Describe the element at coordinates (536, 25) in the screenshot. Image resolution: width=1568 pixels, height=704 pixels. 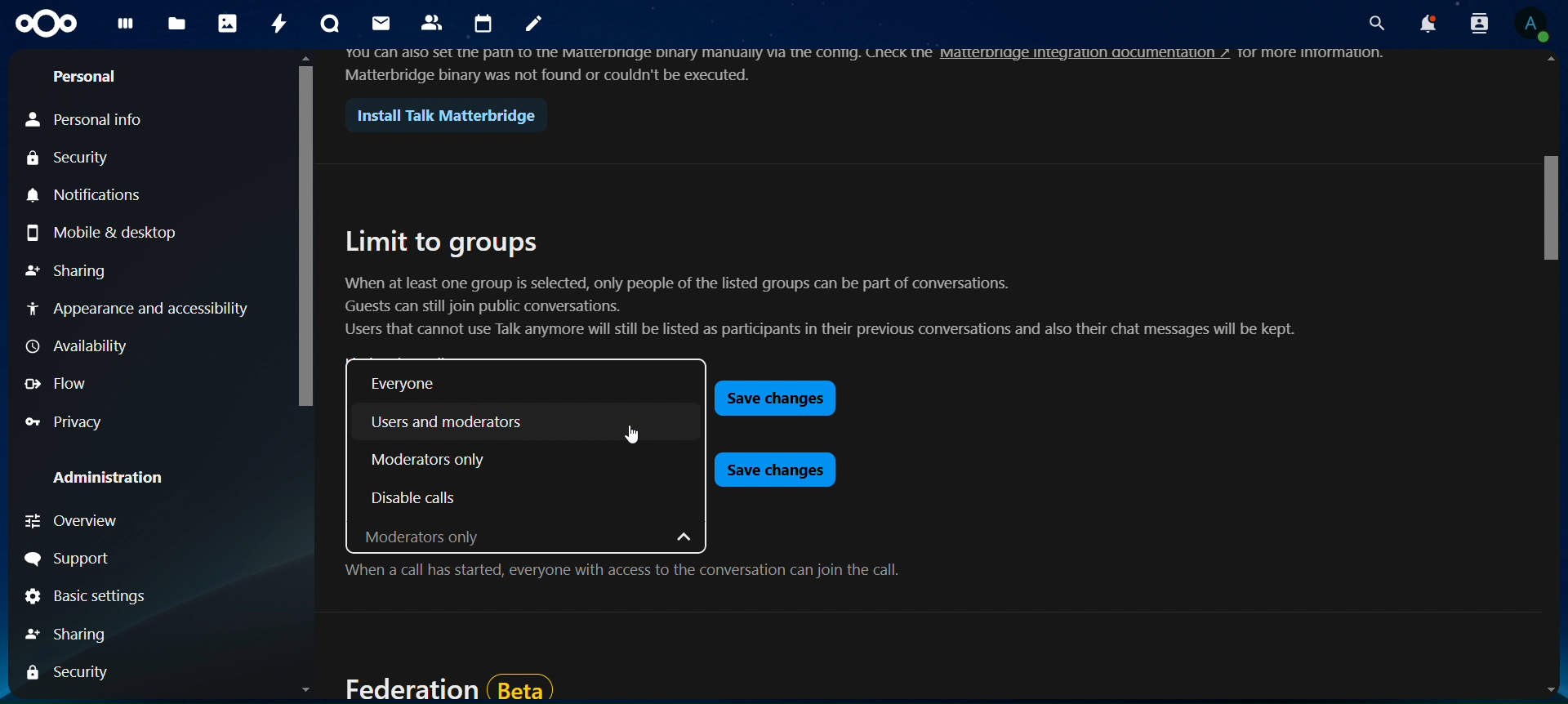
I see `notes` at that location.